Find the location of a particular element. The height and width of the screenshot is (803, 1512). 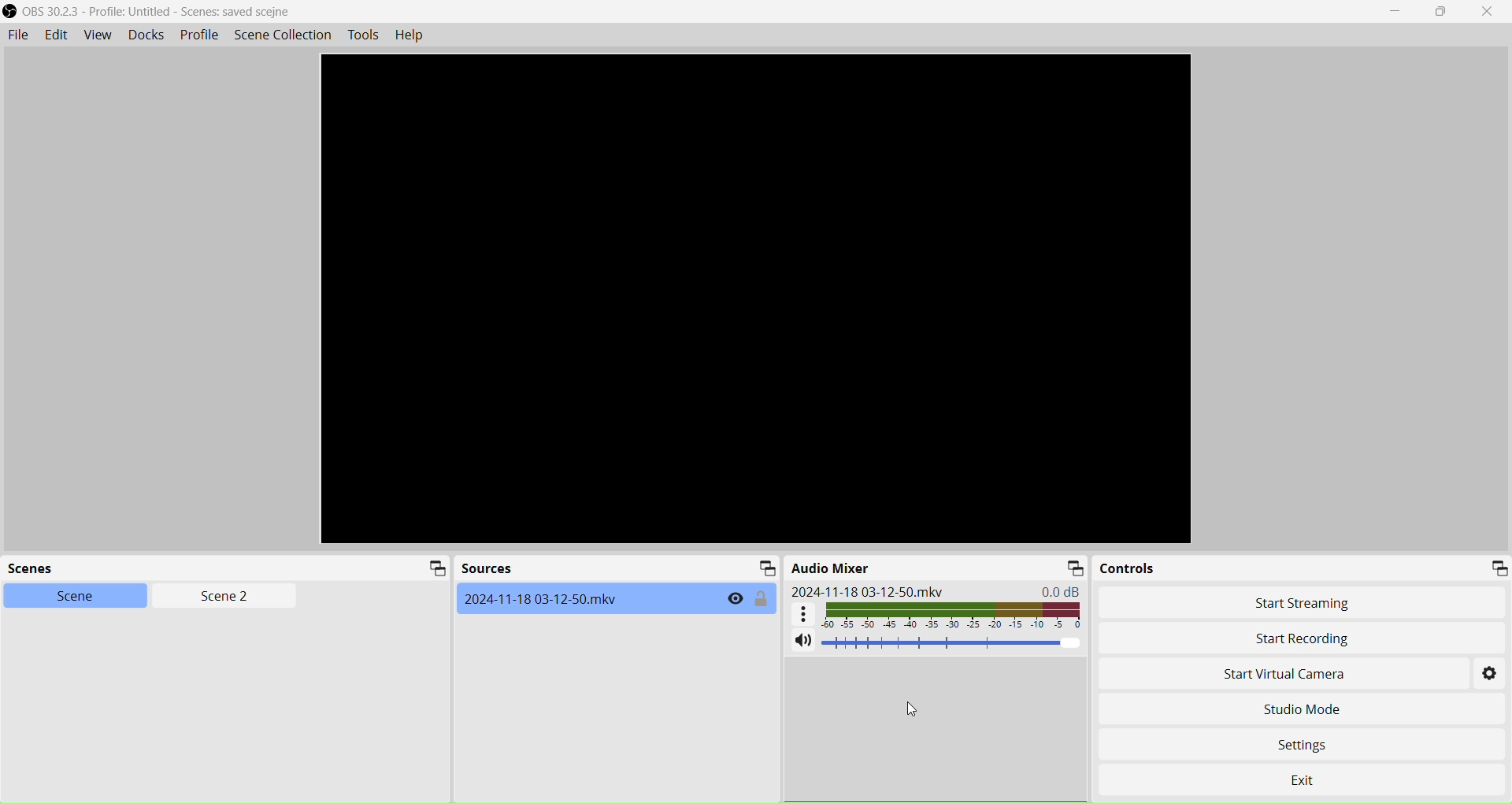

2024-11-18 03-12-50.mkv is located at coordinates (868, 591).